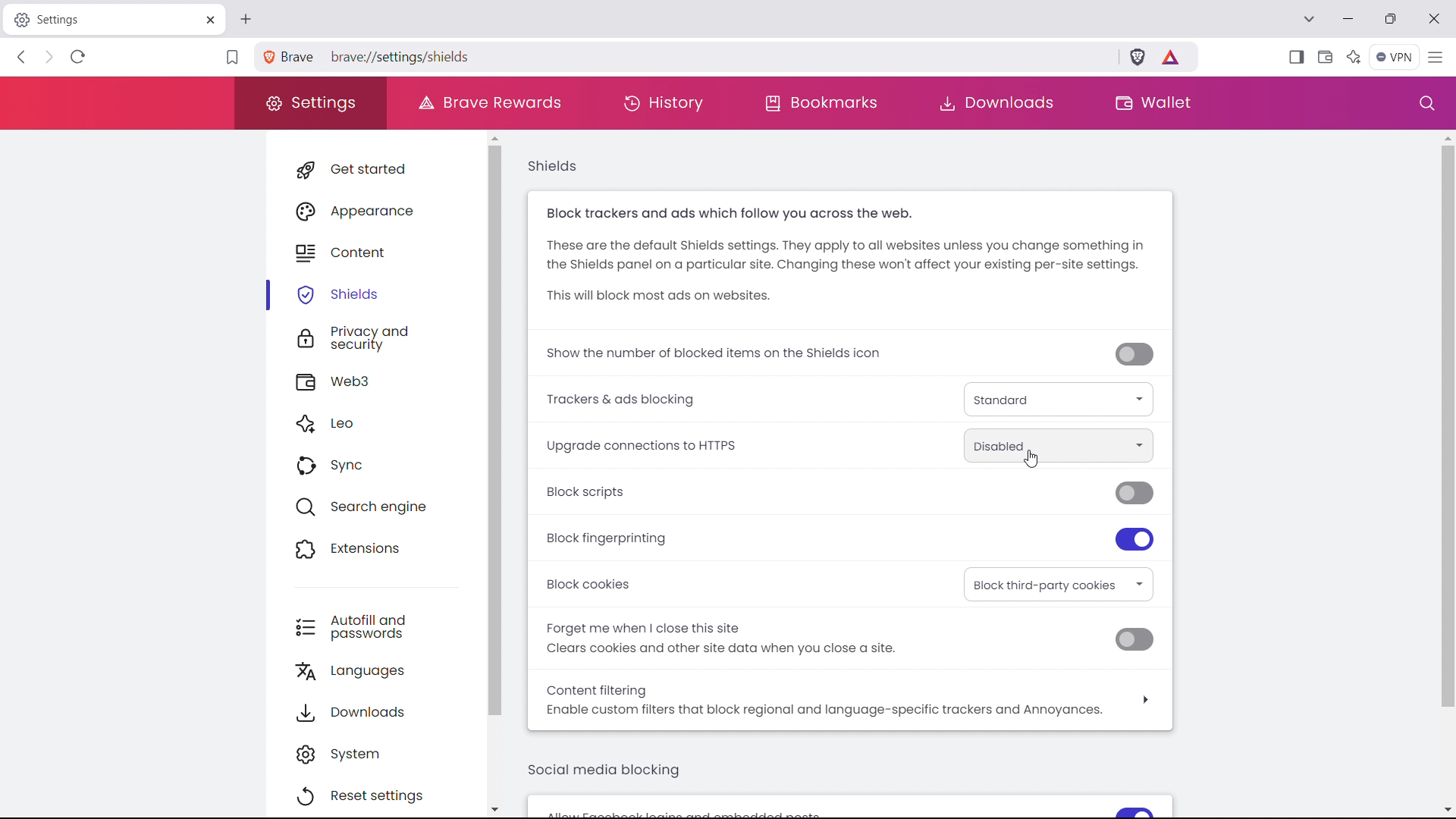 The width and height of the screenshot is (1456, 819). Describe the element at coordinates (232, 58) in the screenshot. I see `bookmark this tab` at that location.